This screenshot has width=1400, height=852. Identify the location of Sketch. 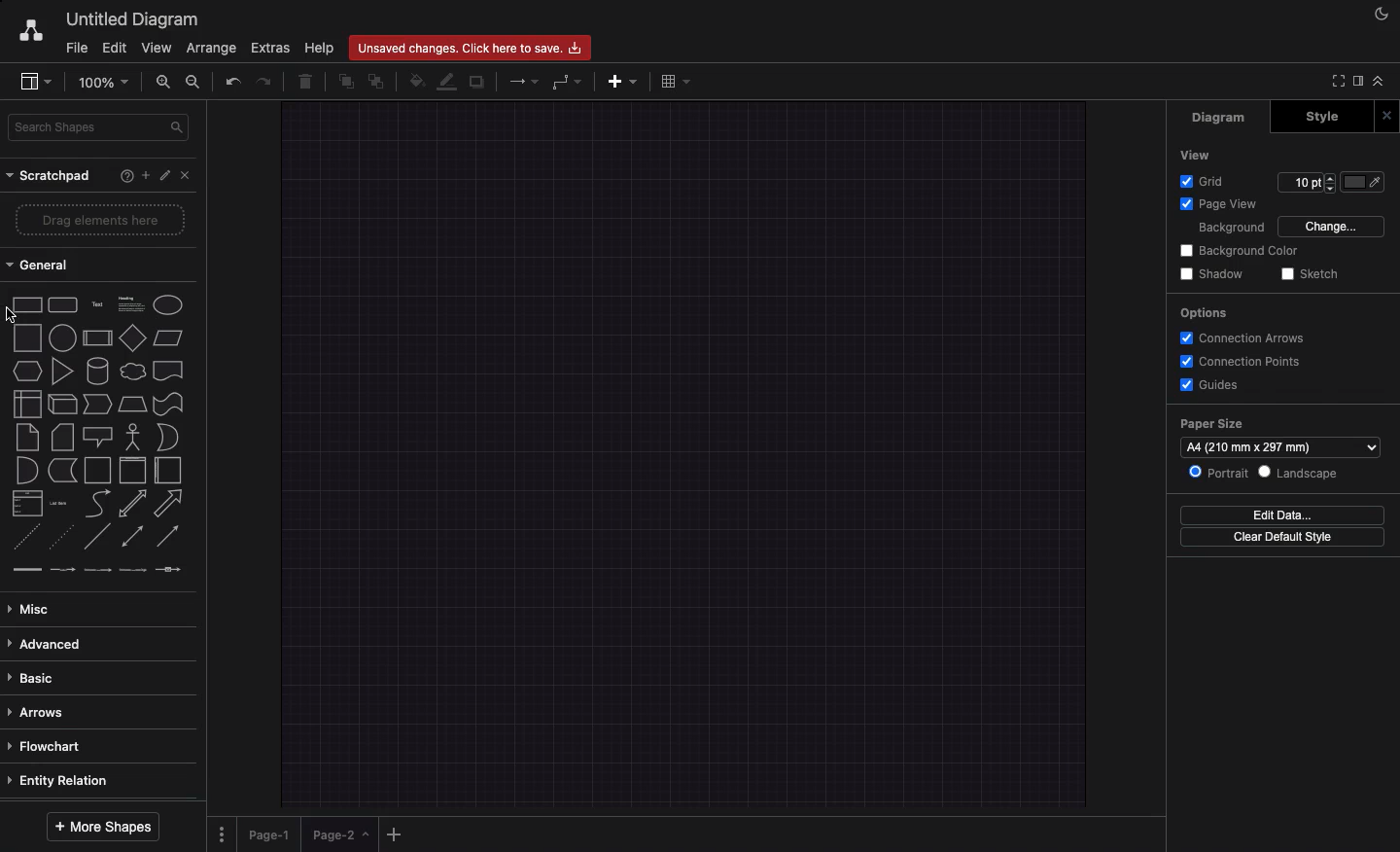
(1310, 274).